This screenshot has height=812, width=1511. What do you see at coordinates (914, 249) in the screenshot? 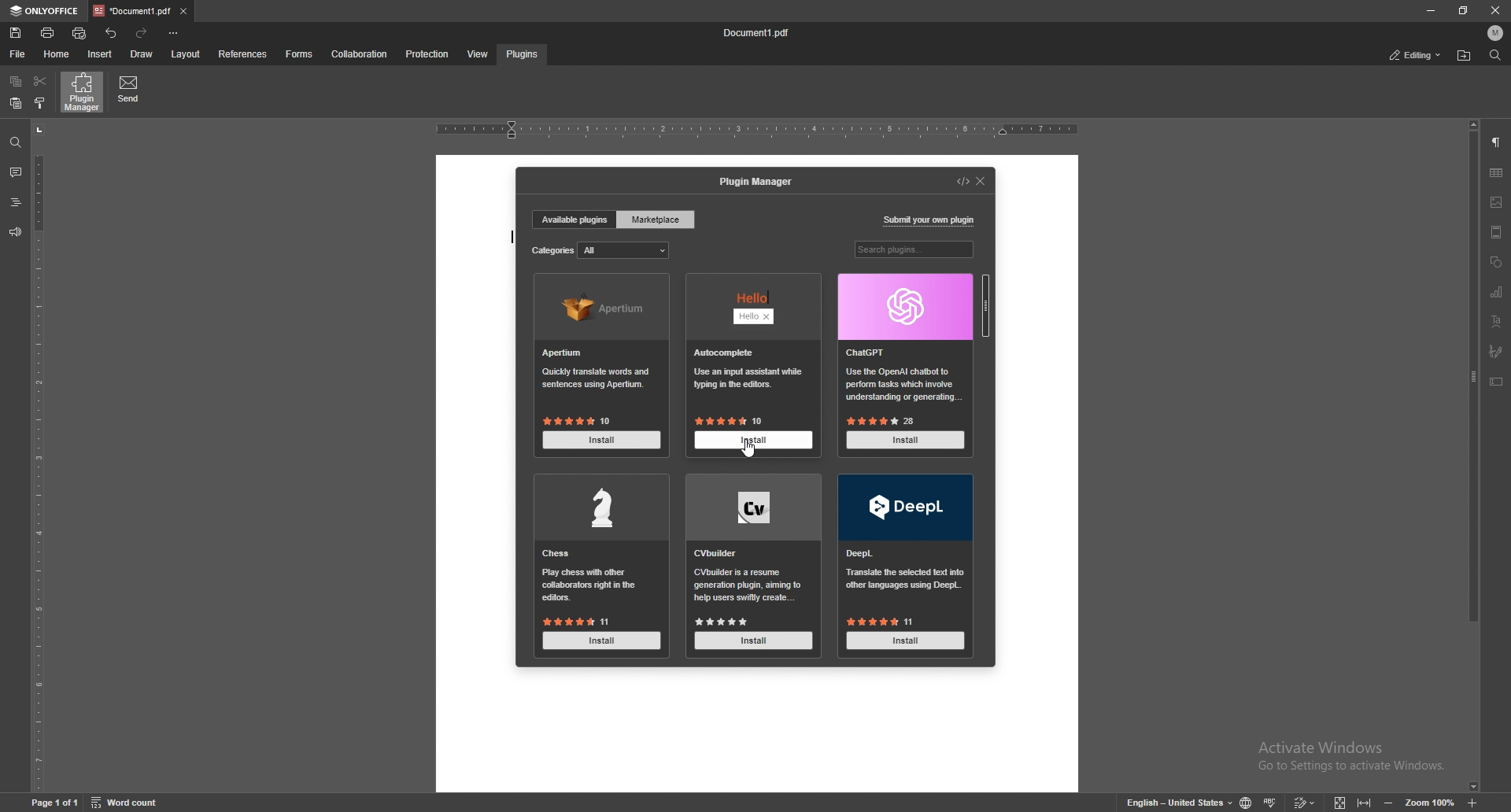
I see `search plugins` at bounding box center [914, 249].